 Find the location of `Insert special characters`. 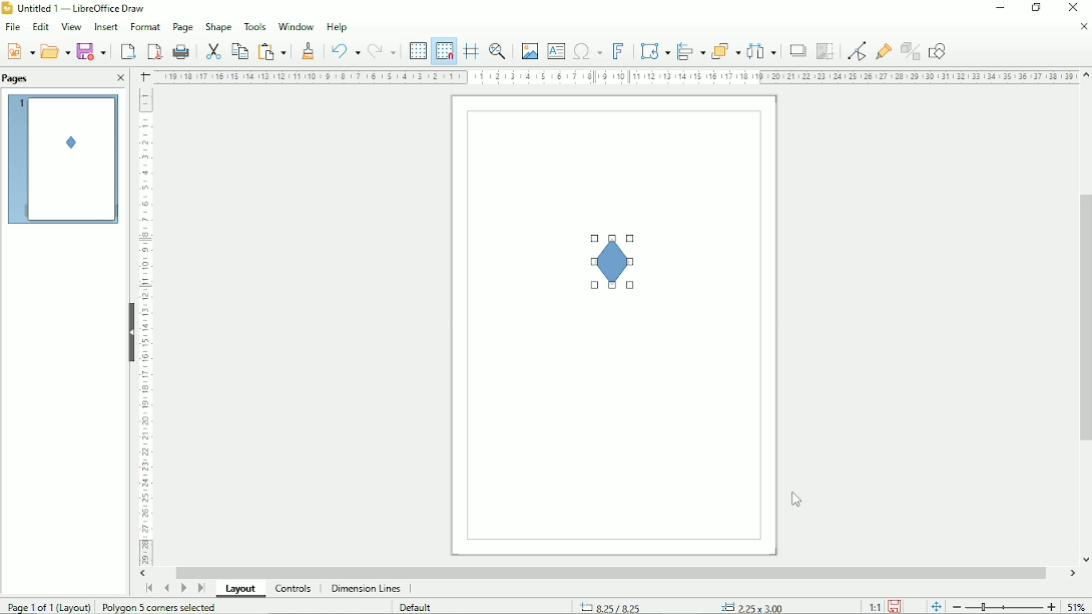

Insert special characters is located at coordinates (587, 49).